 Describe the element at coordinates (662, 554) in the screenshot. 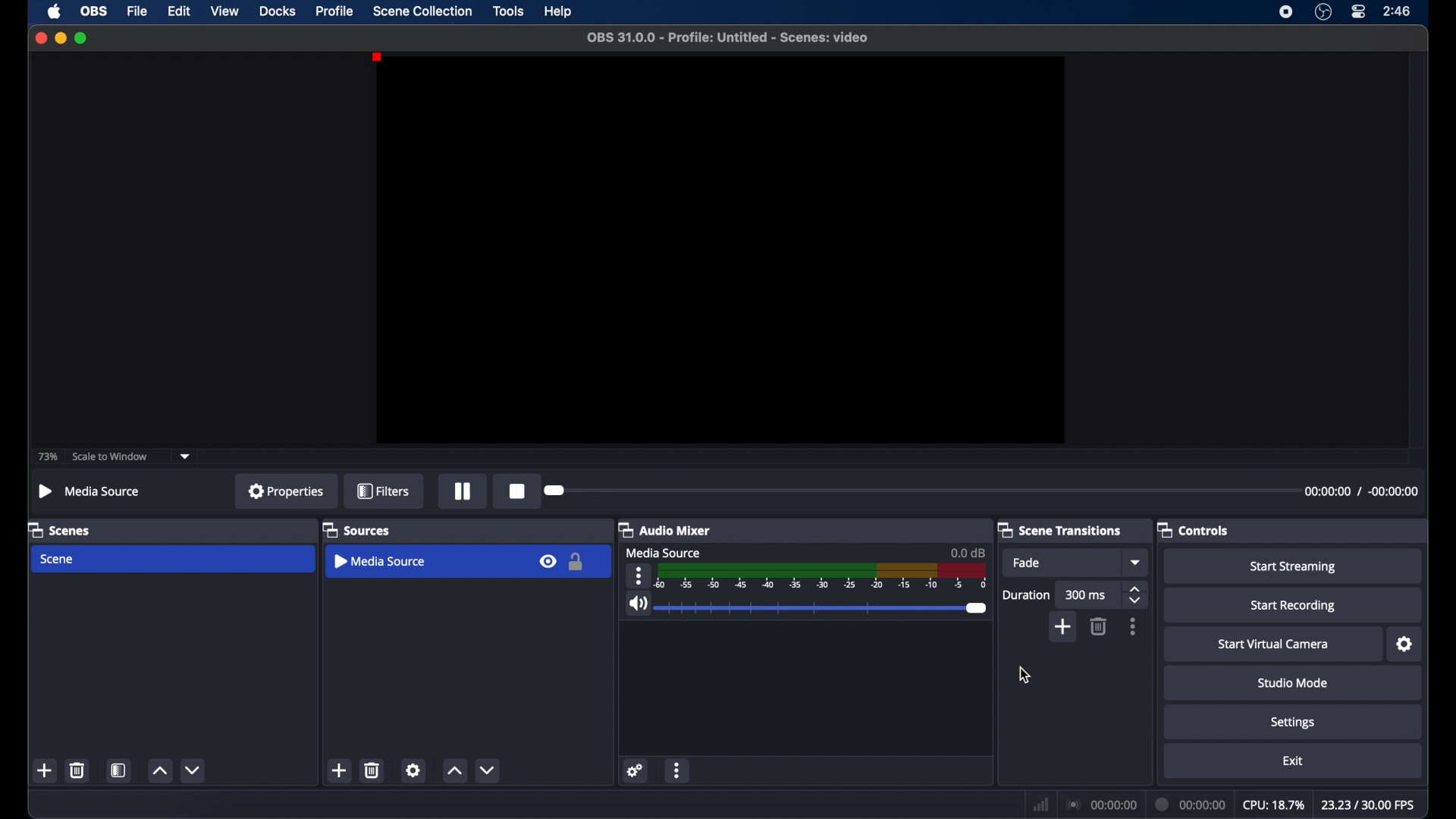

I see `Media Source` at that location.